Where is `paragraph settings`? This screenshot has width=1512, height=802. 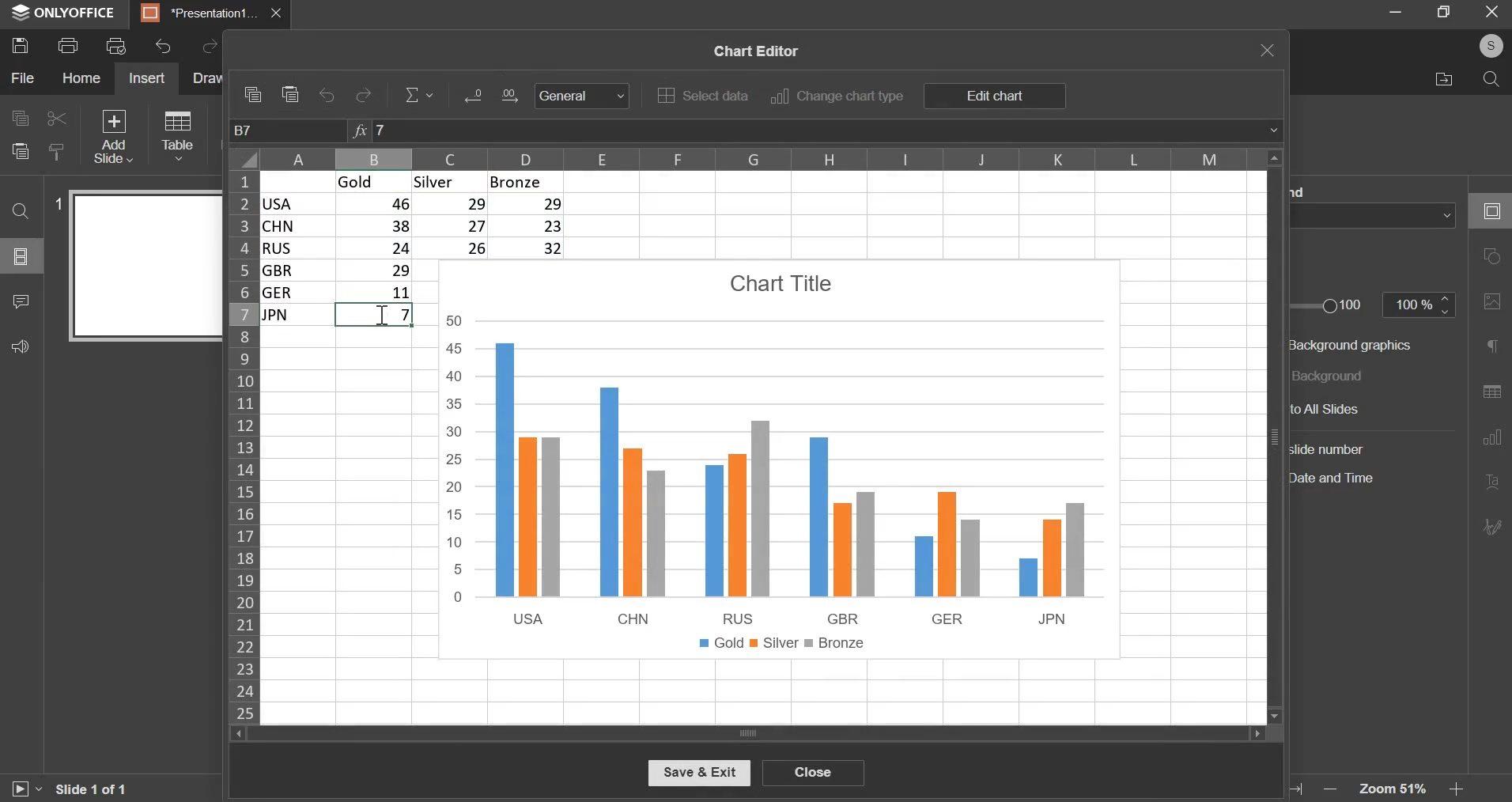
paragraph settings is located at coordinates (1493, 347).